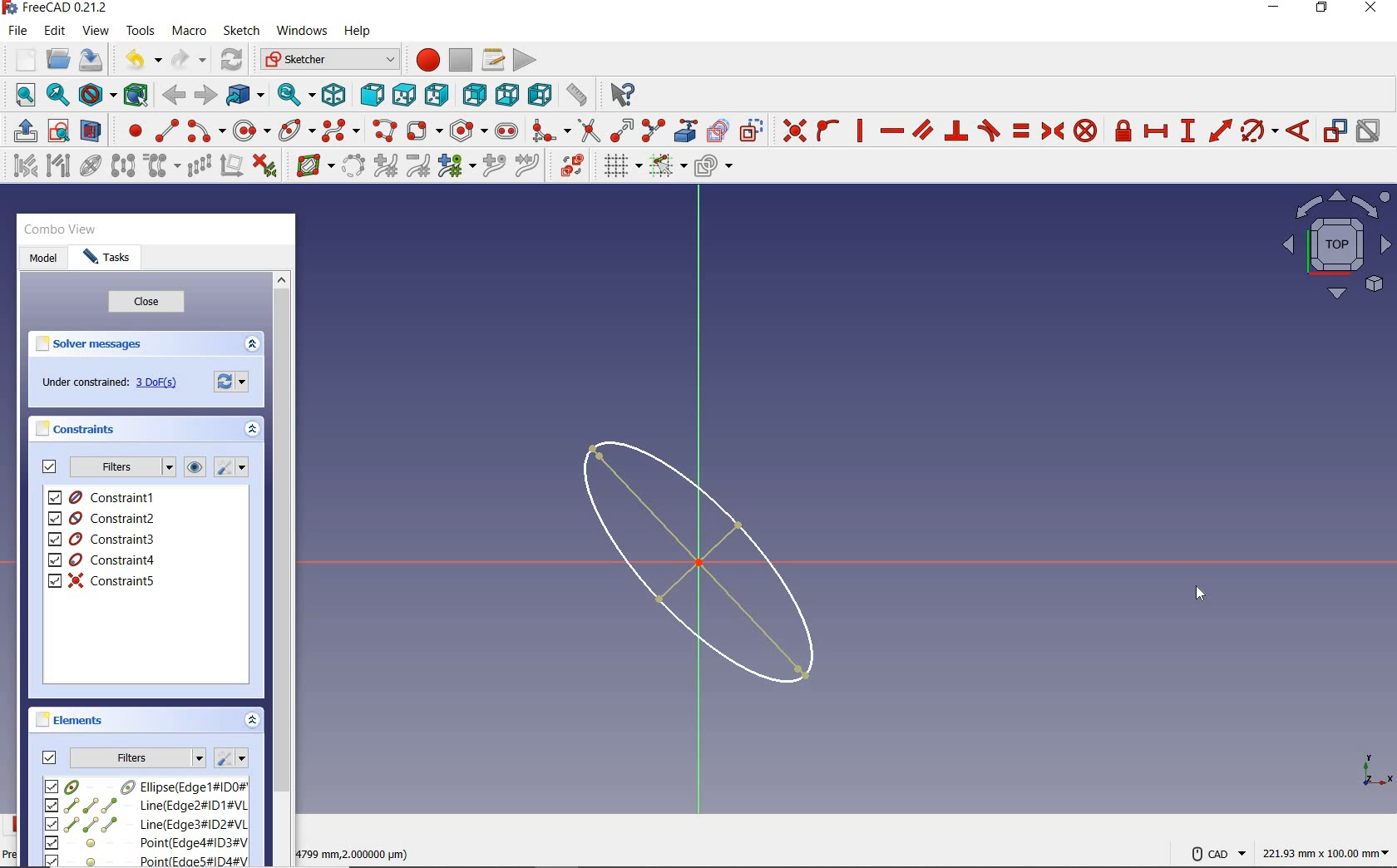  What do you see at coordinates (353, 167) in the screenshot?
I see `convert geometry to B-spline` at bounding box center [353, 167].